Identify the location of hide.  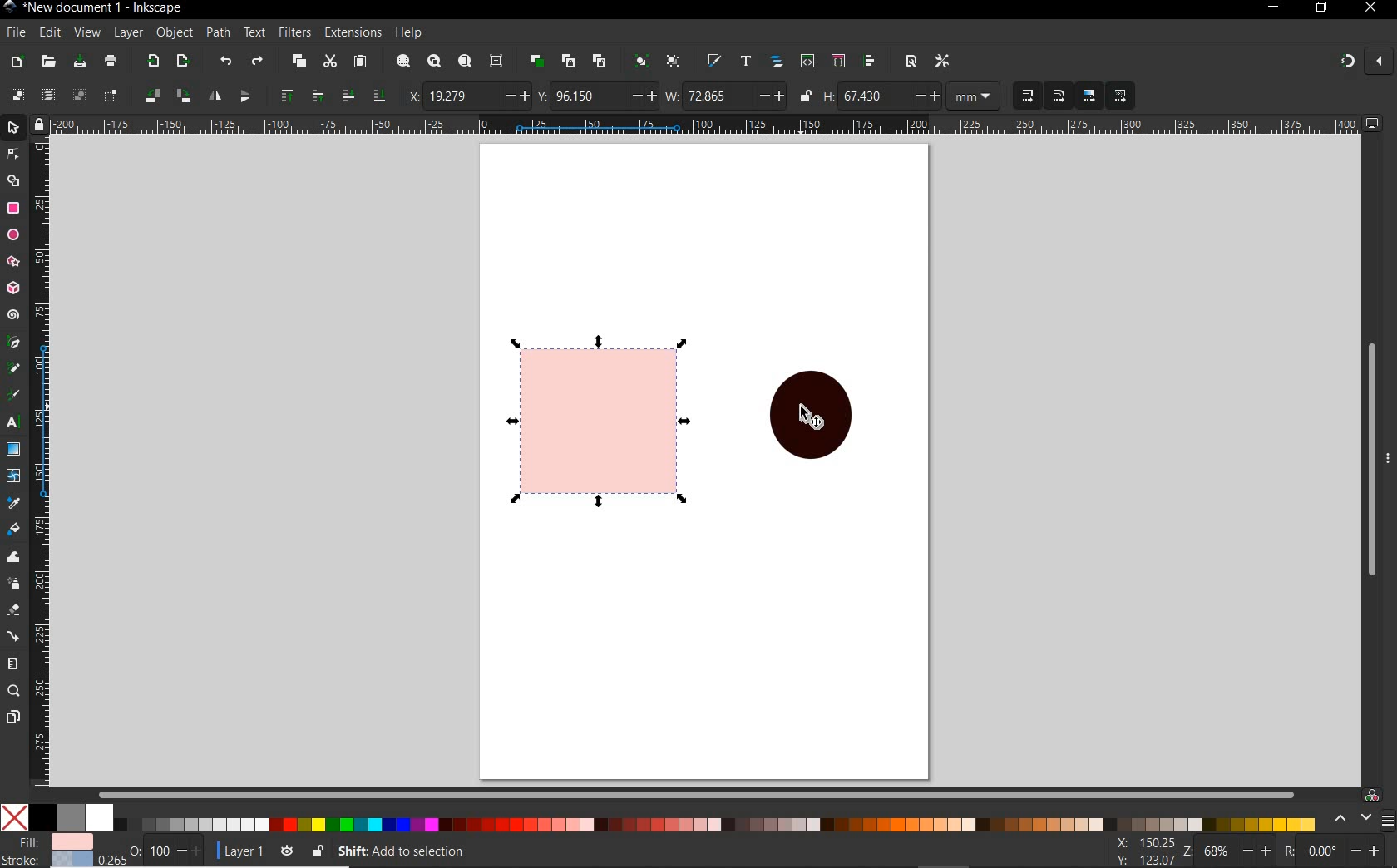
(1389, 457).